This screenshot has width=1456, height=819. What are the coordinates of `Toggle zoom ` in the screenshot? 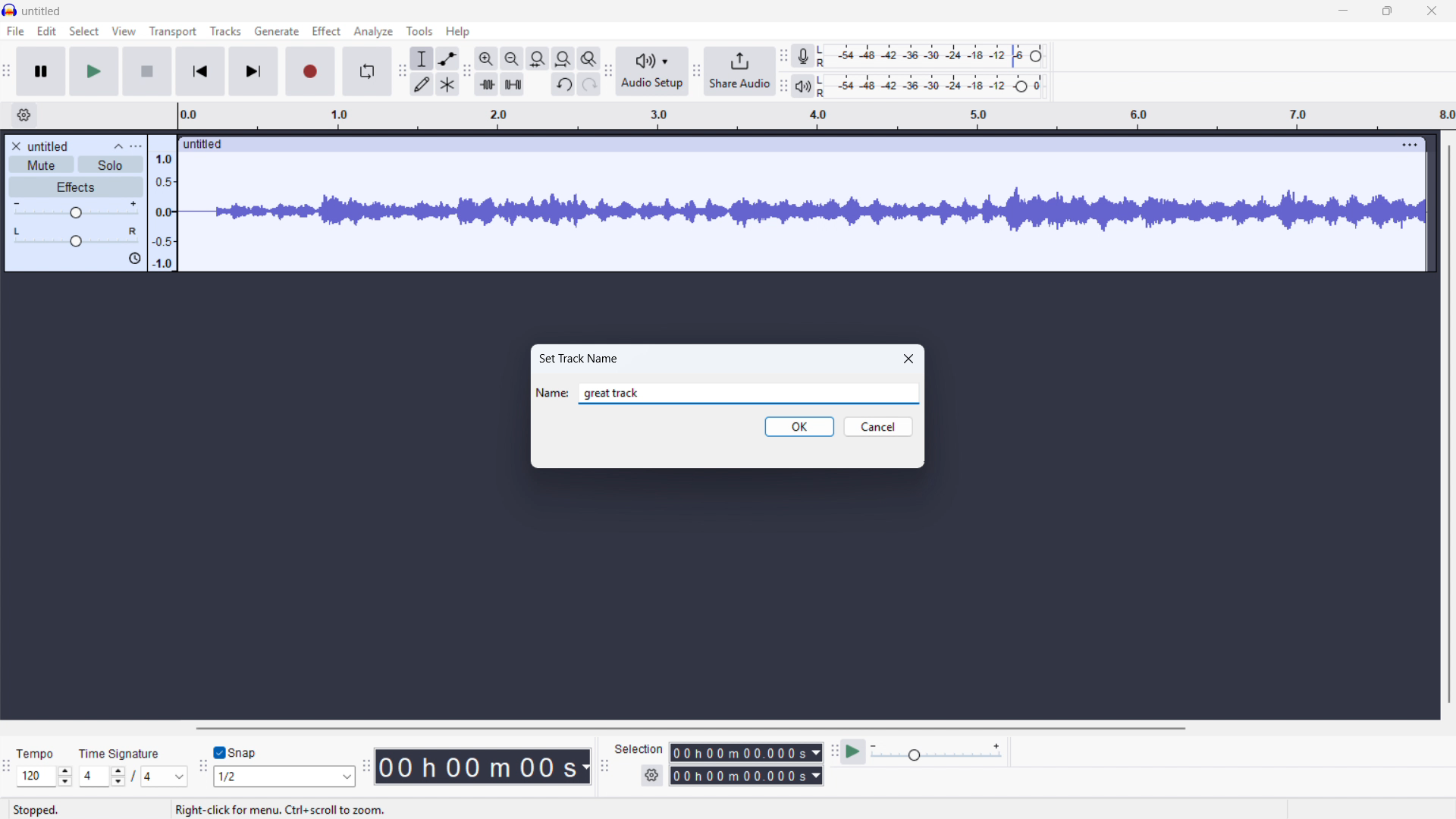 It's located at (588, 58).